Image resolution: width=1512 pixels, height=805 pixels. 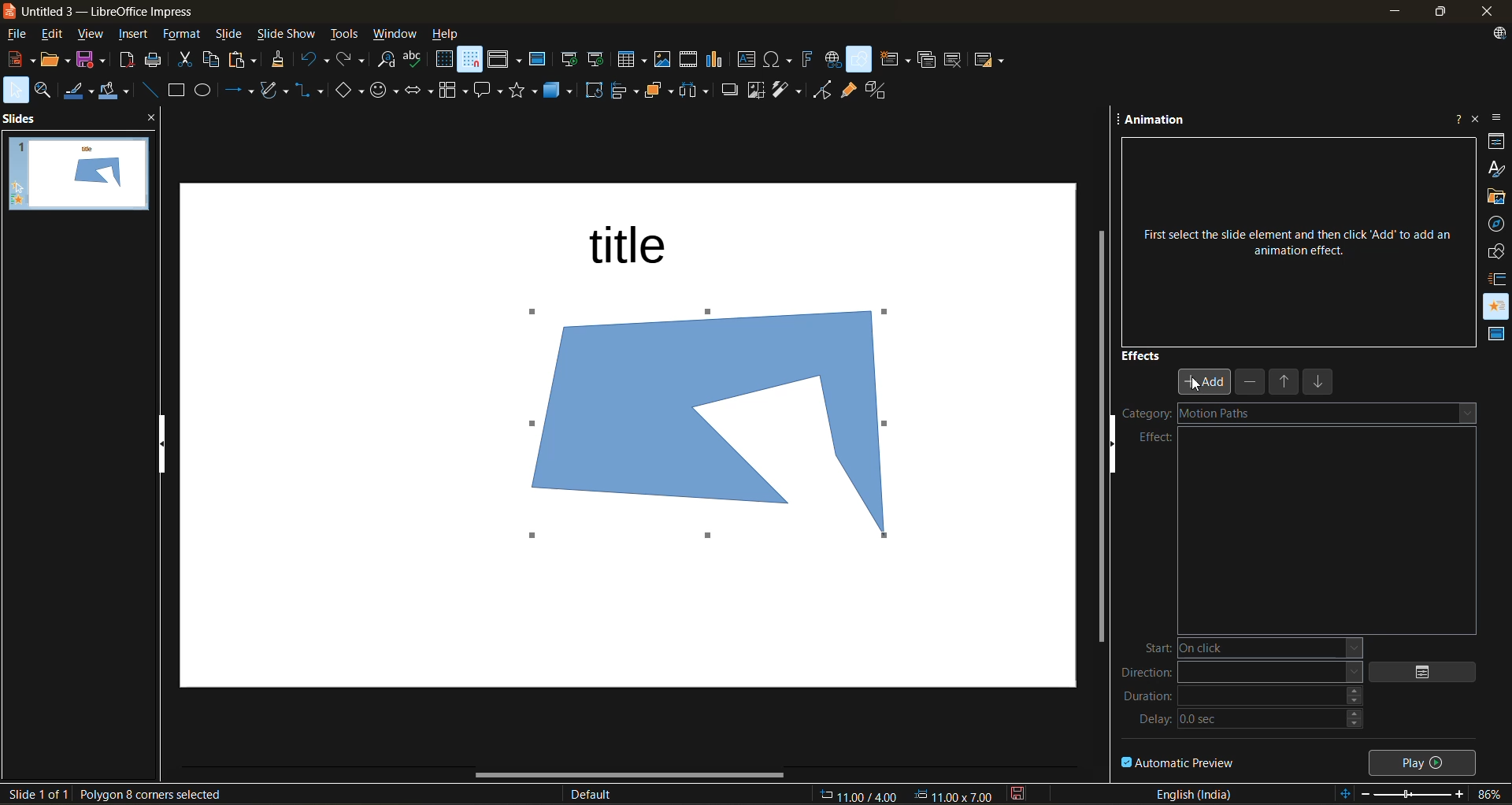 What do you see at coordinates (690, 60) in the screenshot?
I see `insert audio or video` at bounding box center [690, 60].